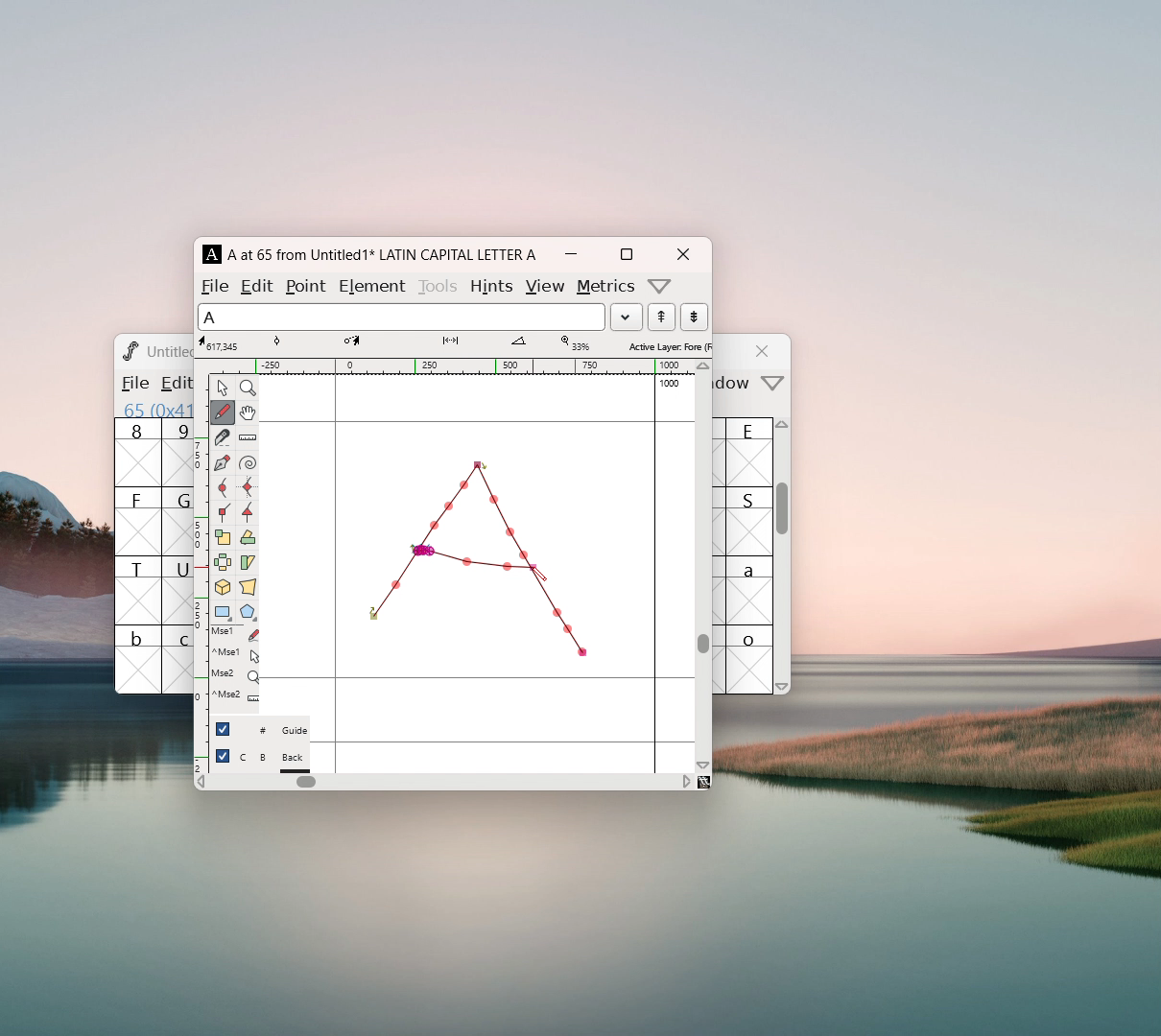  What do you see at coordinates (626, 254) in the screenshot?
I see `maximize` at bounding box center [626, 254].